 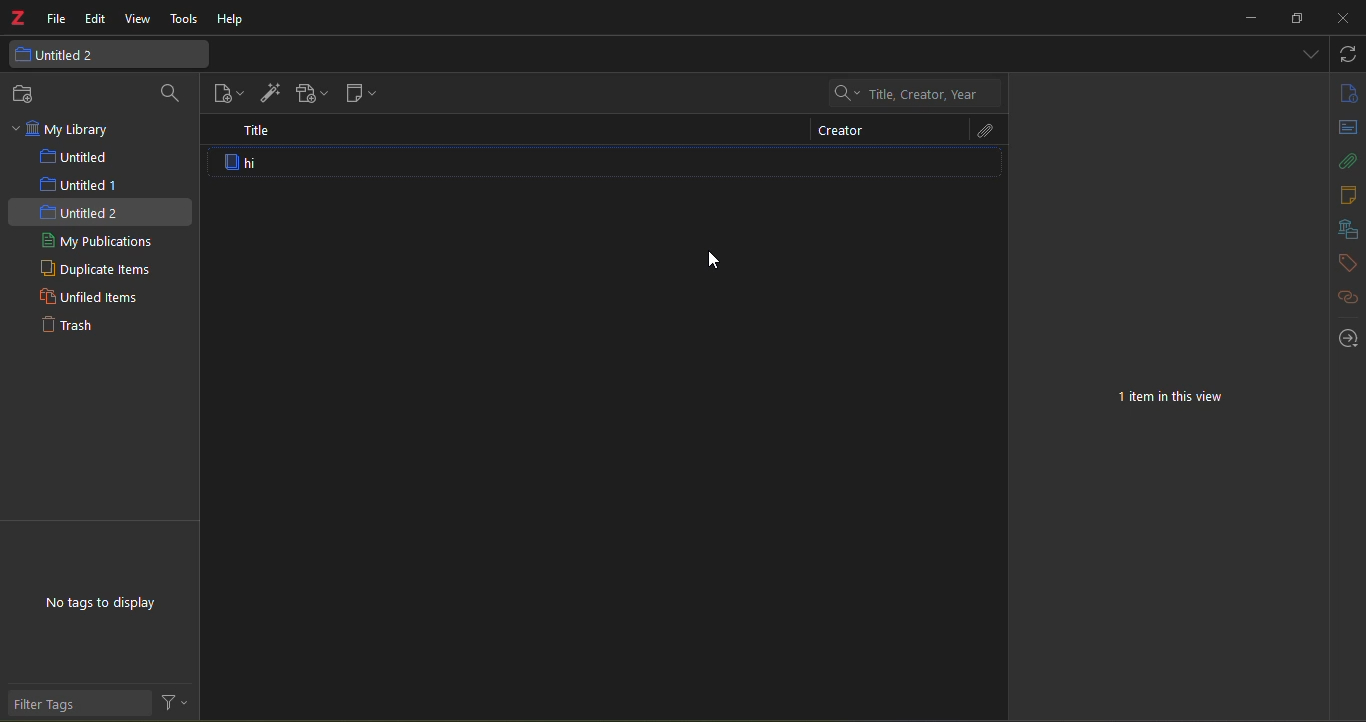 I want to click on trash, so click(x=69, y=323).